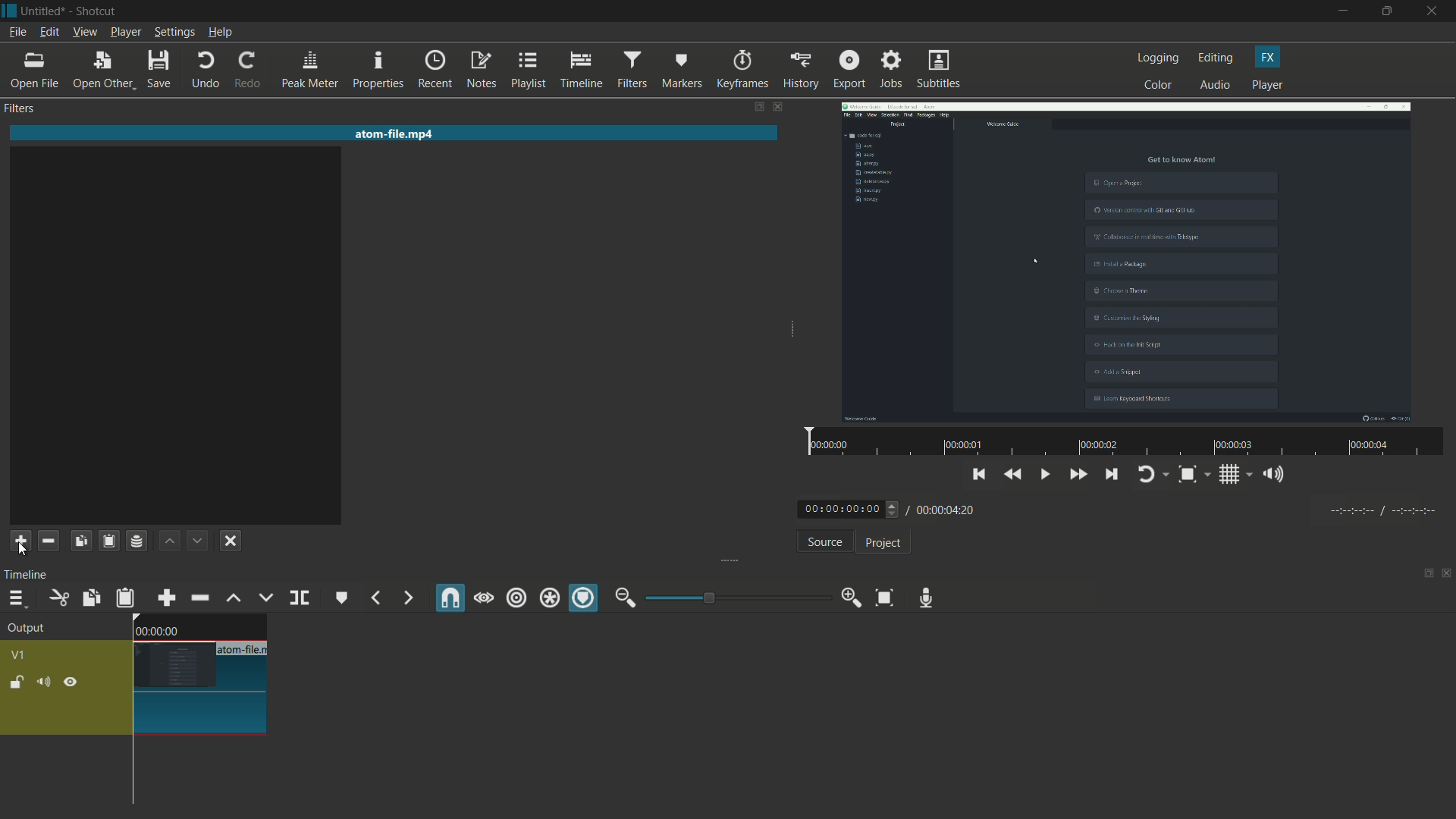  Describe the element at coordinates (1216, 86) in the screenshot. I see `audio` at that location.